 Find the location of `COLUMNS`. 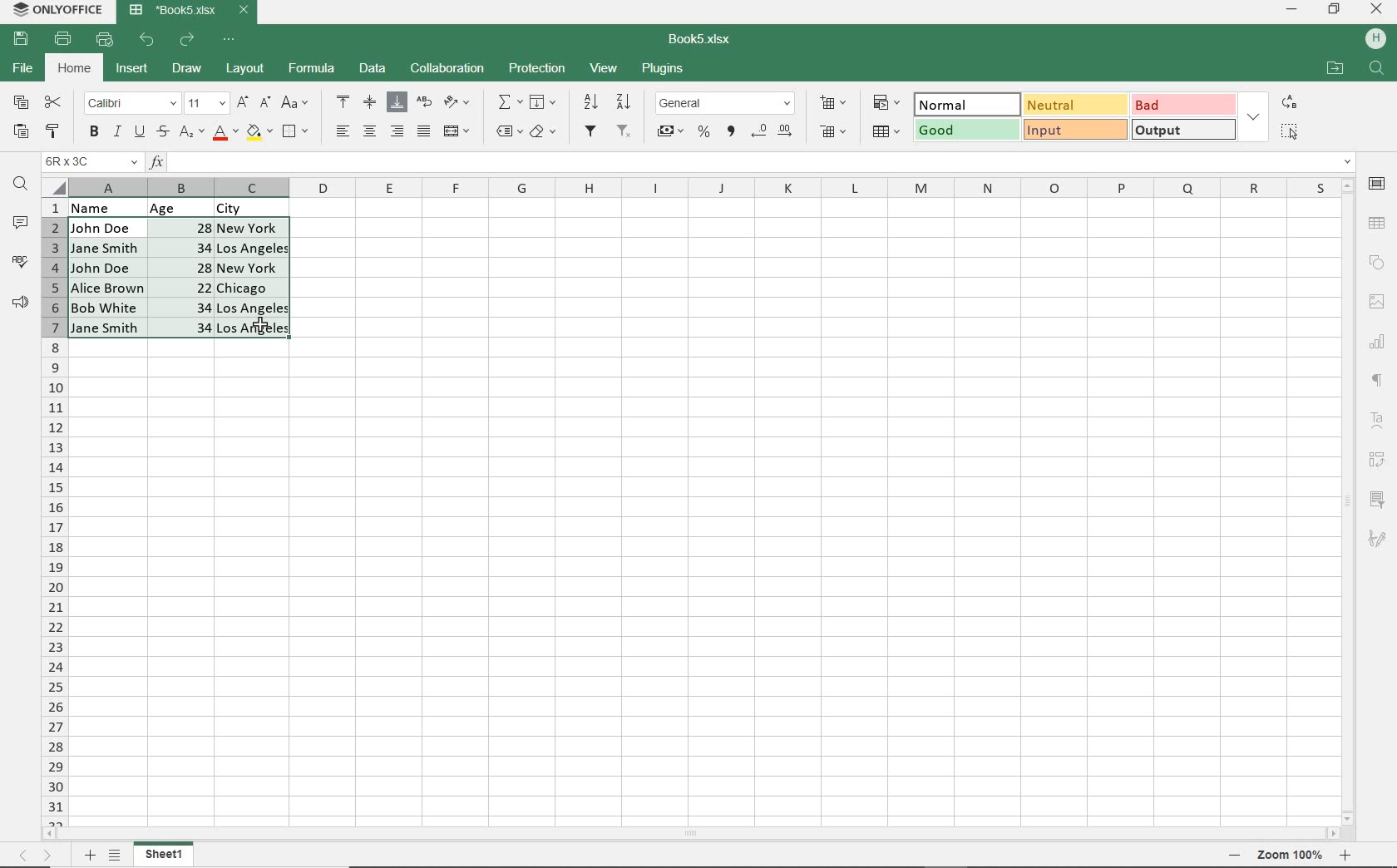

COLUMNS is located at coordinates (54, 511).